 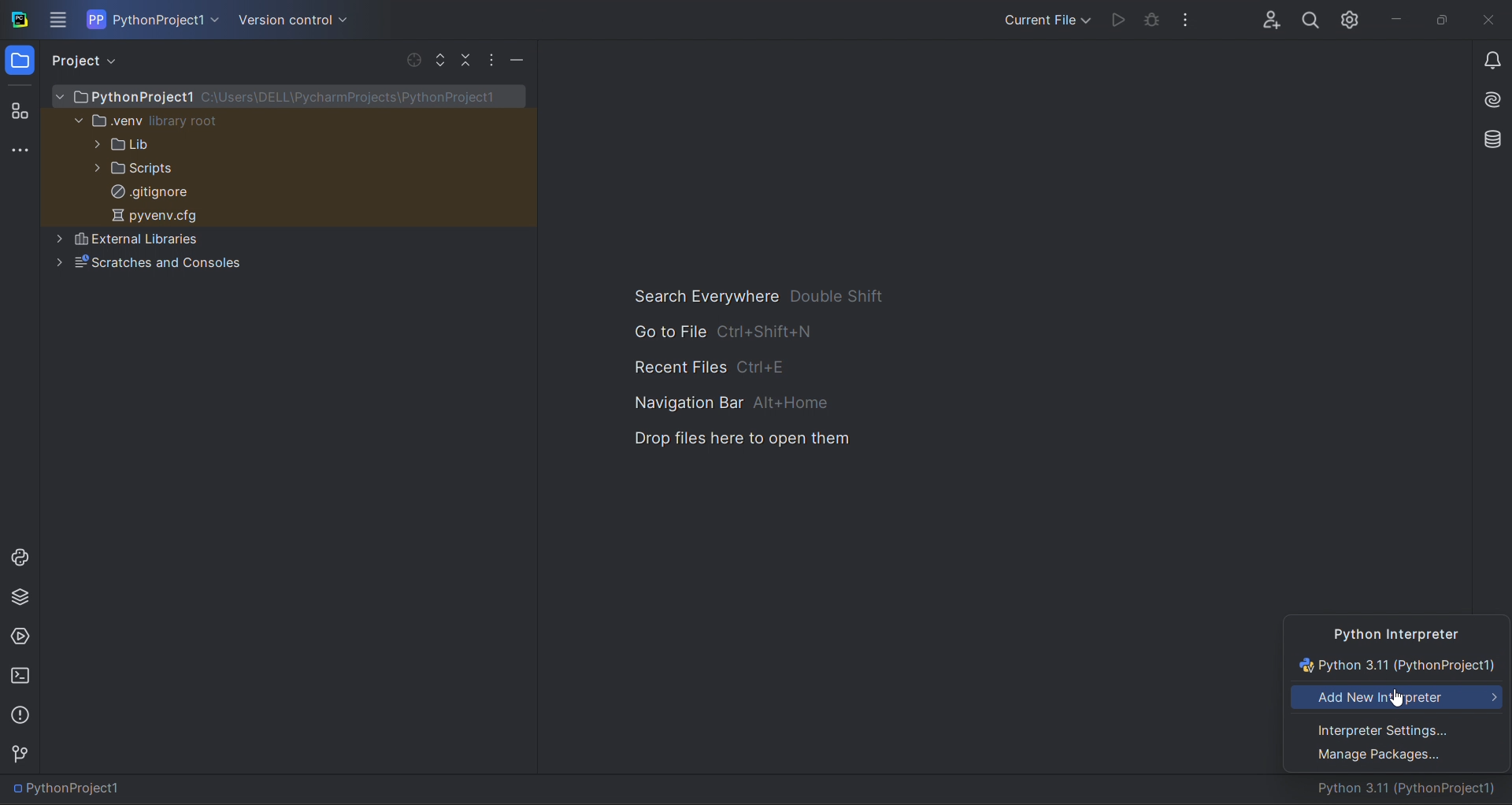 What do you see at coordinates (1152, 22) in the screenshot?
I see `debug` at bounding box center [1152, 22].